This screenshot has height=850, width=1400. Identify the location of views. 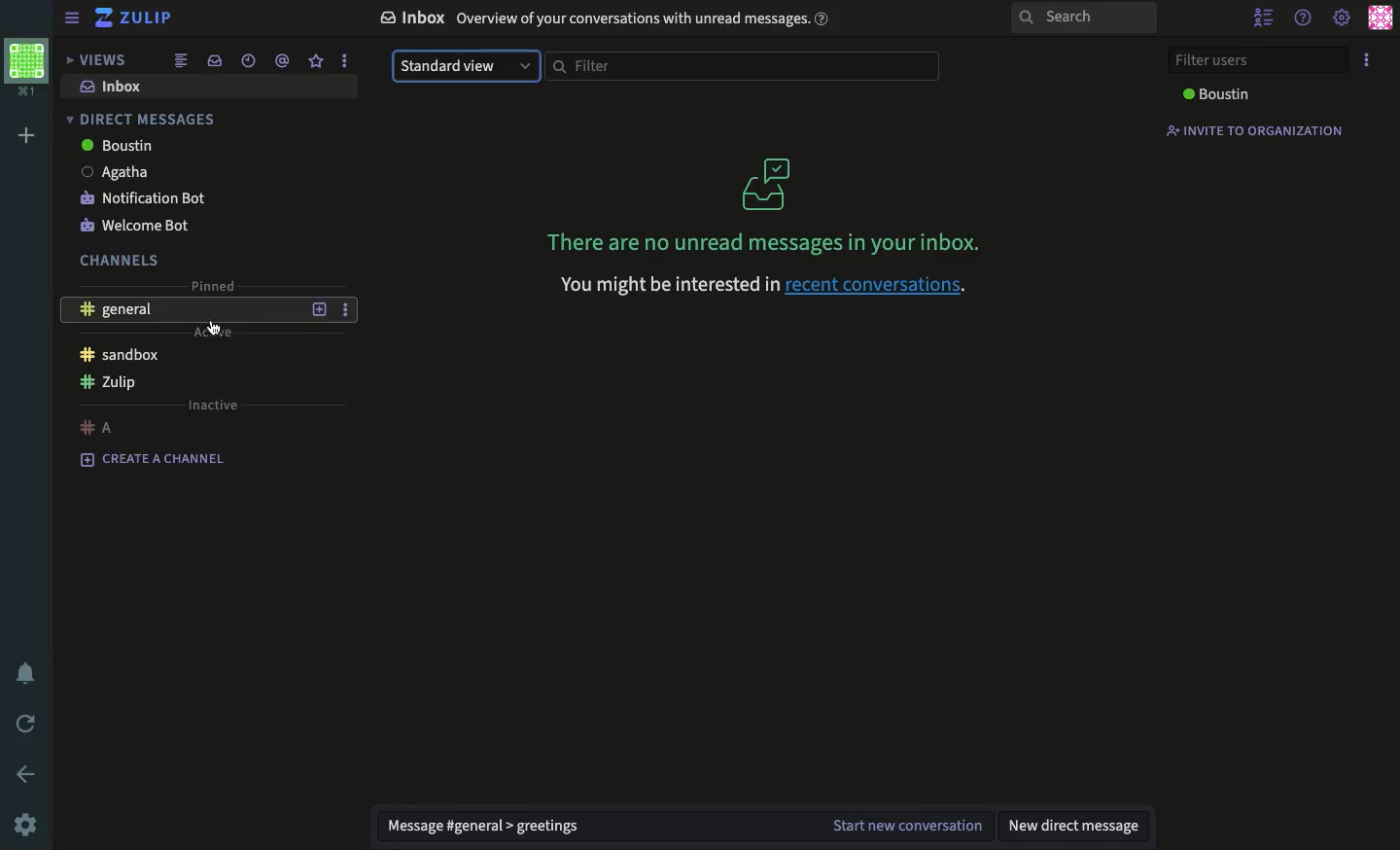
(93, 59).